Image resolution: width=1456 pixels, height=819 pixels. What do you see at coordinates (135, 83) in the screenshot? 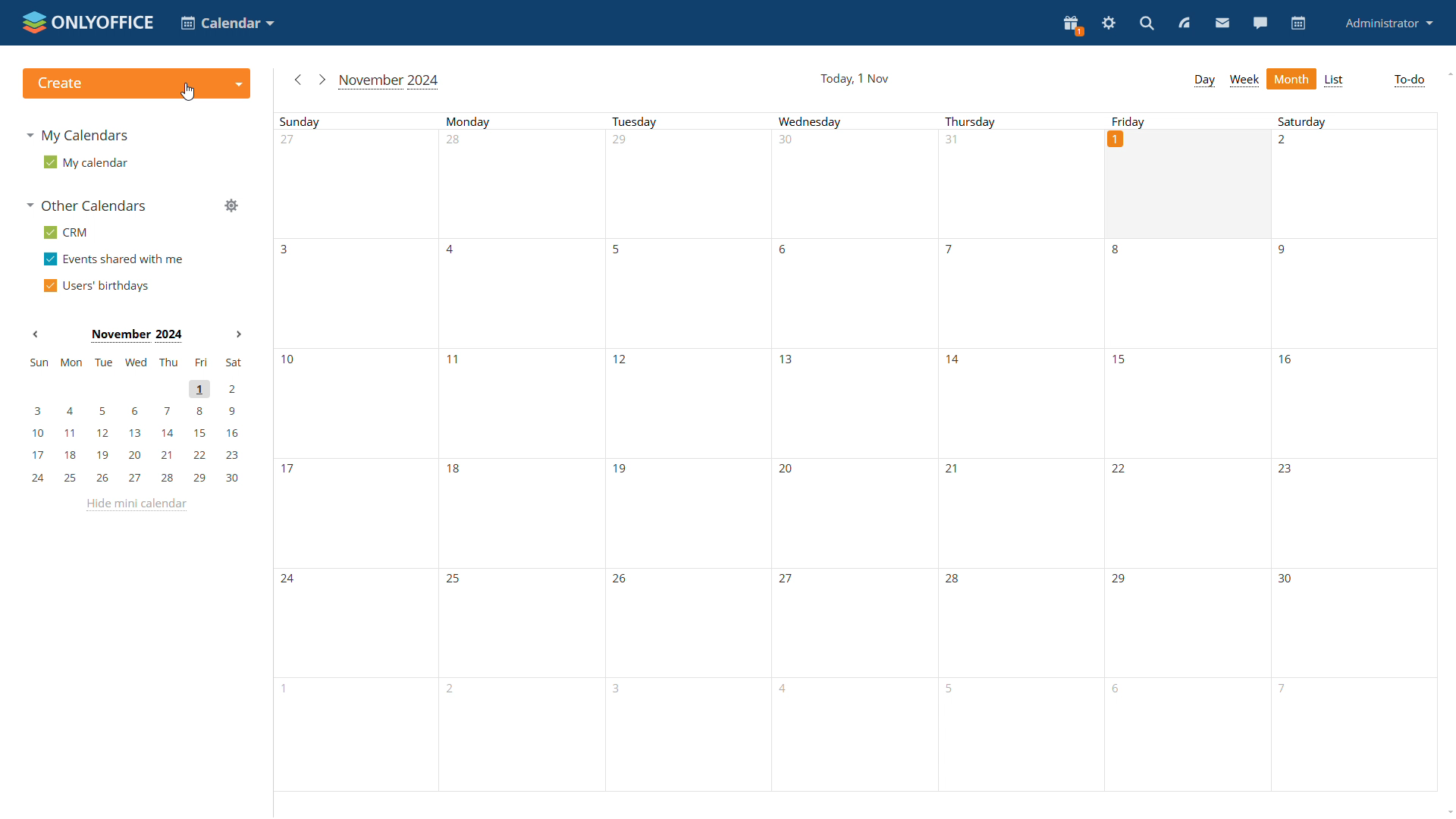
I see `create` at bounding box center [135, 83].